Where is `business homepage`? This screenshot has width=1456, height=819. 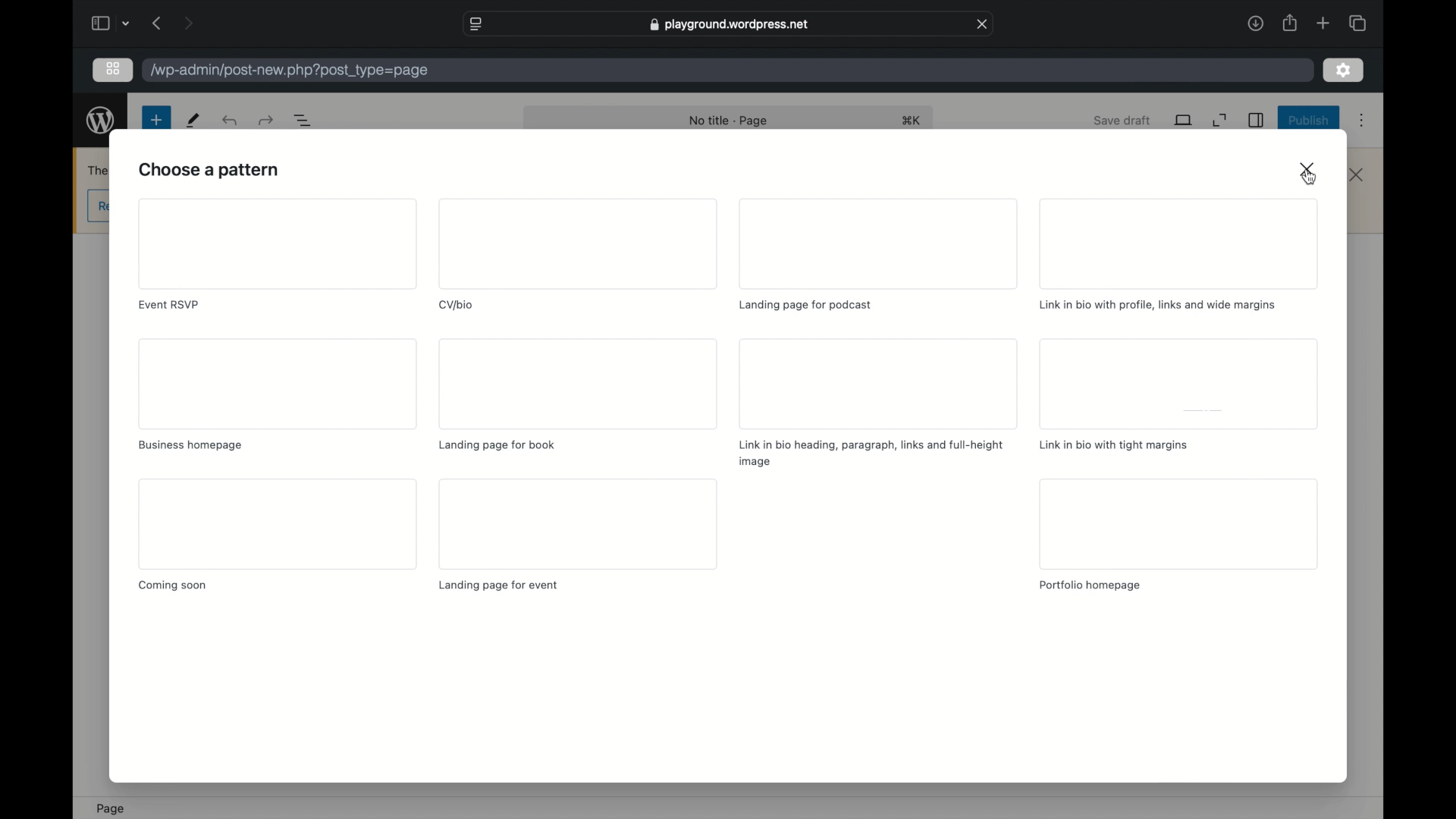
business homepage is located at coordinates (190, 446).